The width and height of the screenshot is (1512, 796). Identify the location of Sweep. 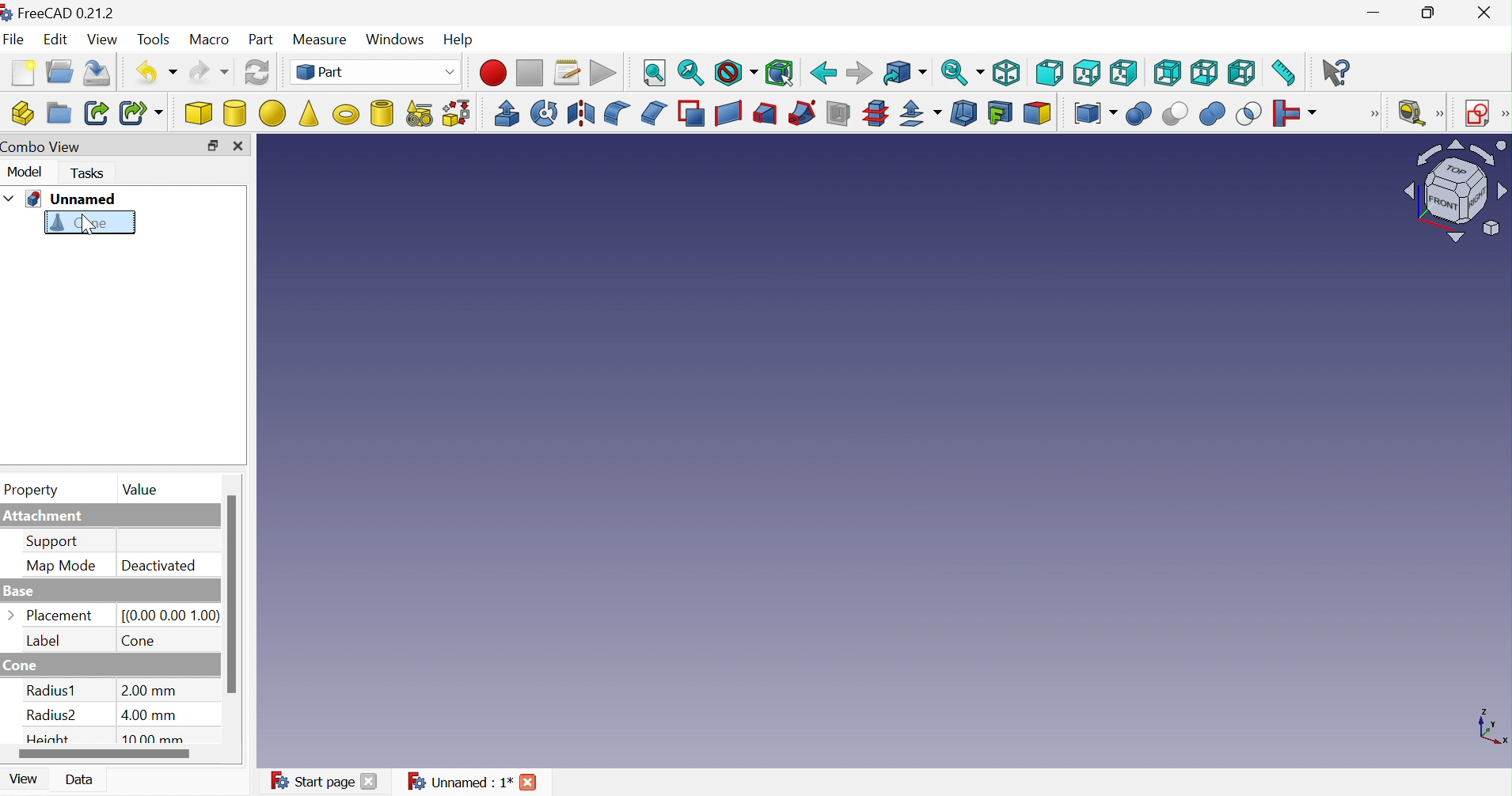
(800, 115).